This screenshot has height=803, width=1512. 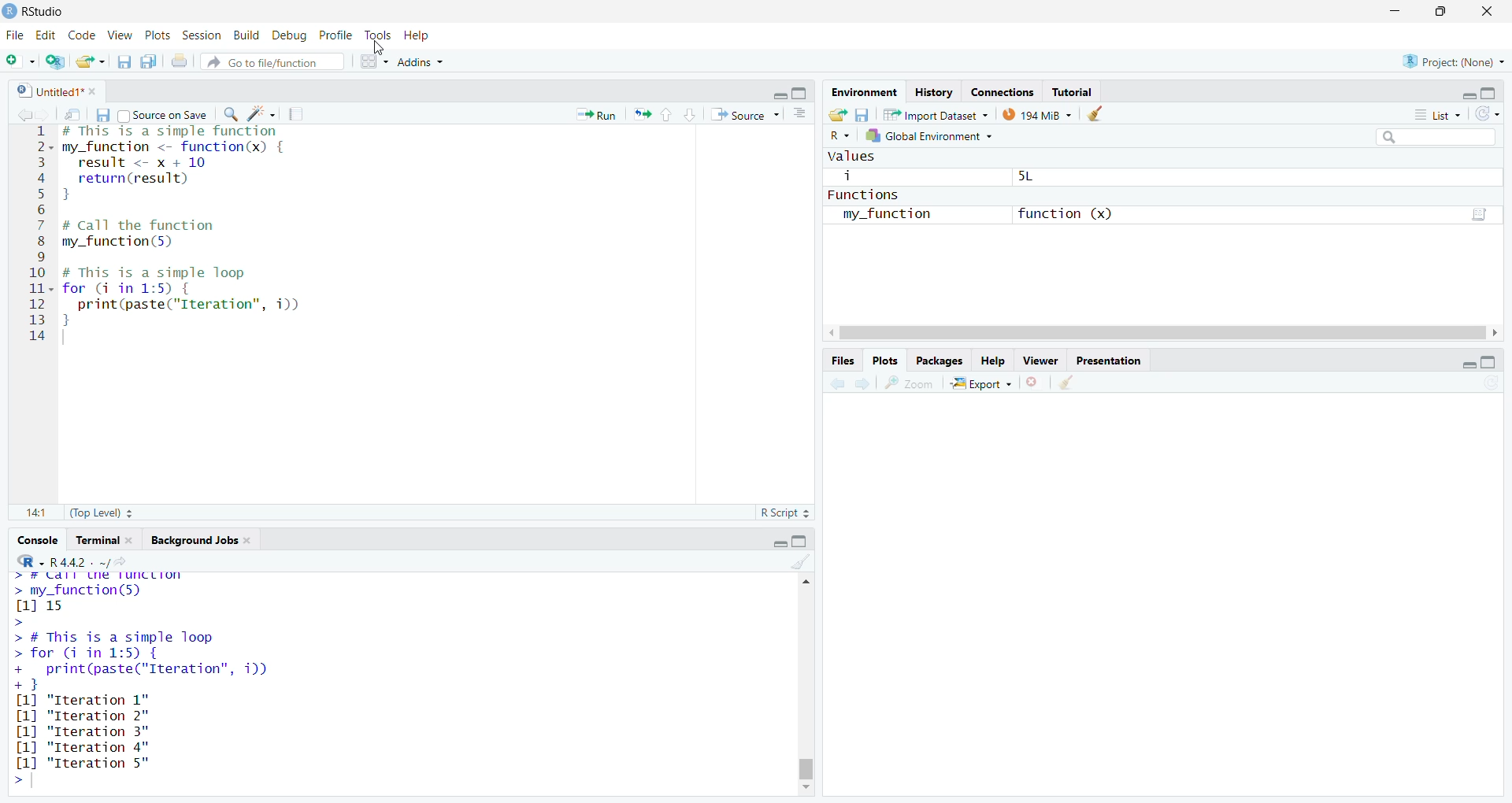 What do you see at coordinates (853, 157) in the screenshot?
I see `values` at bounding box center [853, 157].